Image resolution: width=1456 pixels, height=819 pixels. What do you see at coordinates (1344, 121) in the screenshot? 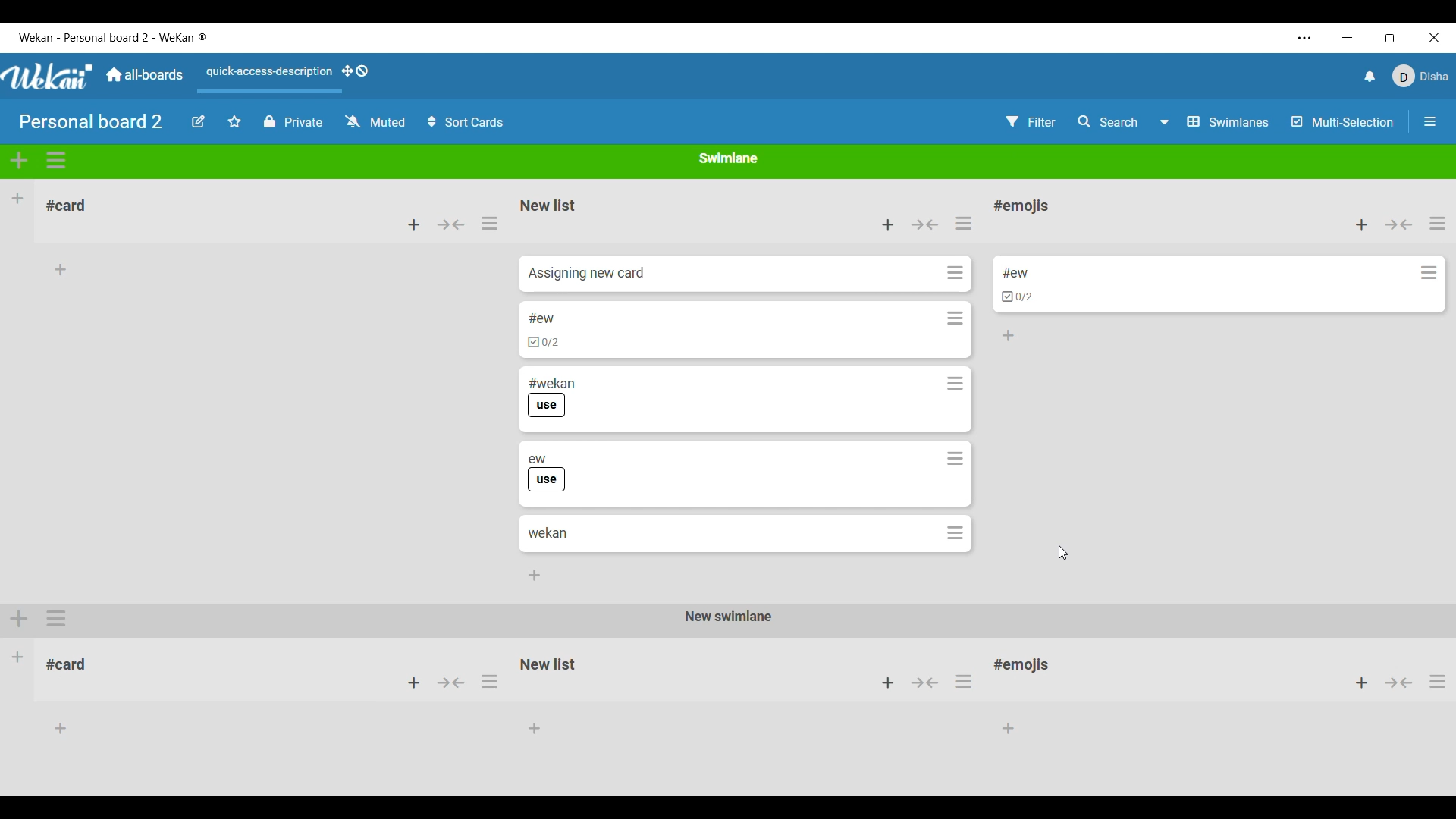
I see `Multi-selection` at bounding box center [1344, 121].